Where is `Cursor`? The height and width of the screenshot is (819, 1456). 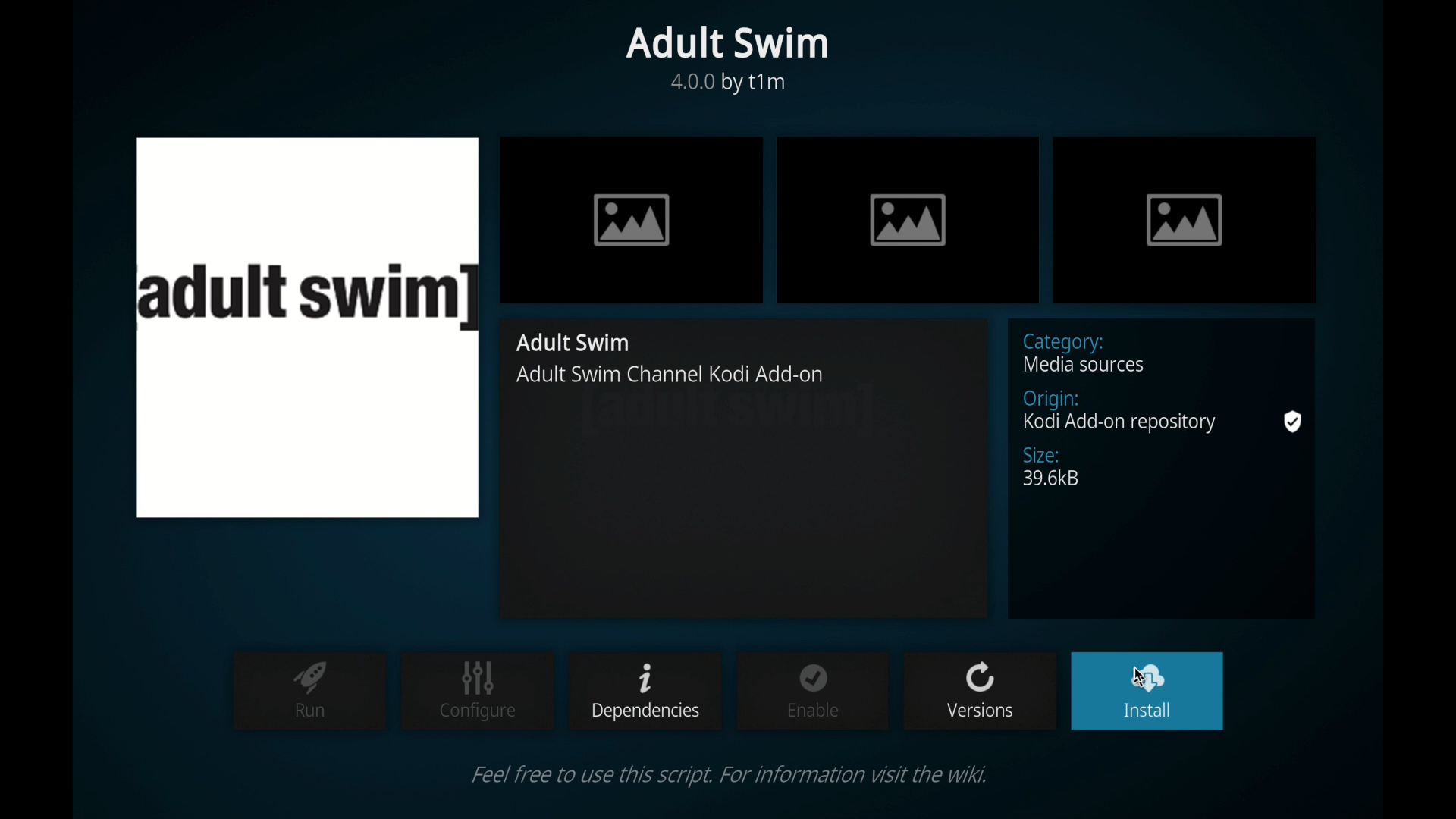 Cursor is located at coordinates (1145, 683).